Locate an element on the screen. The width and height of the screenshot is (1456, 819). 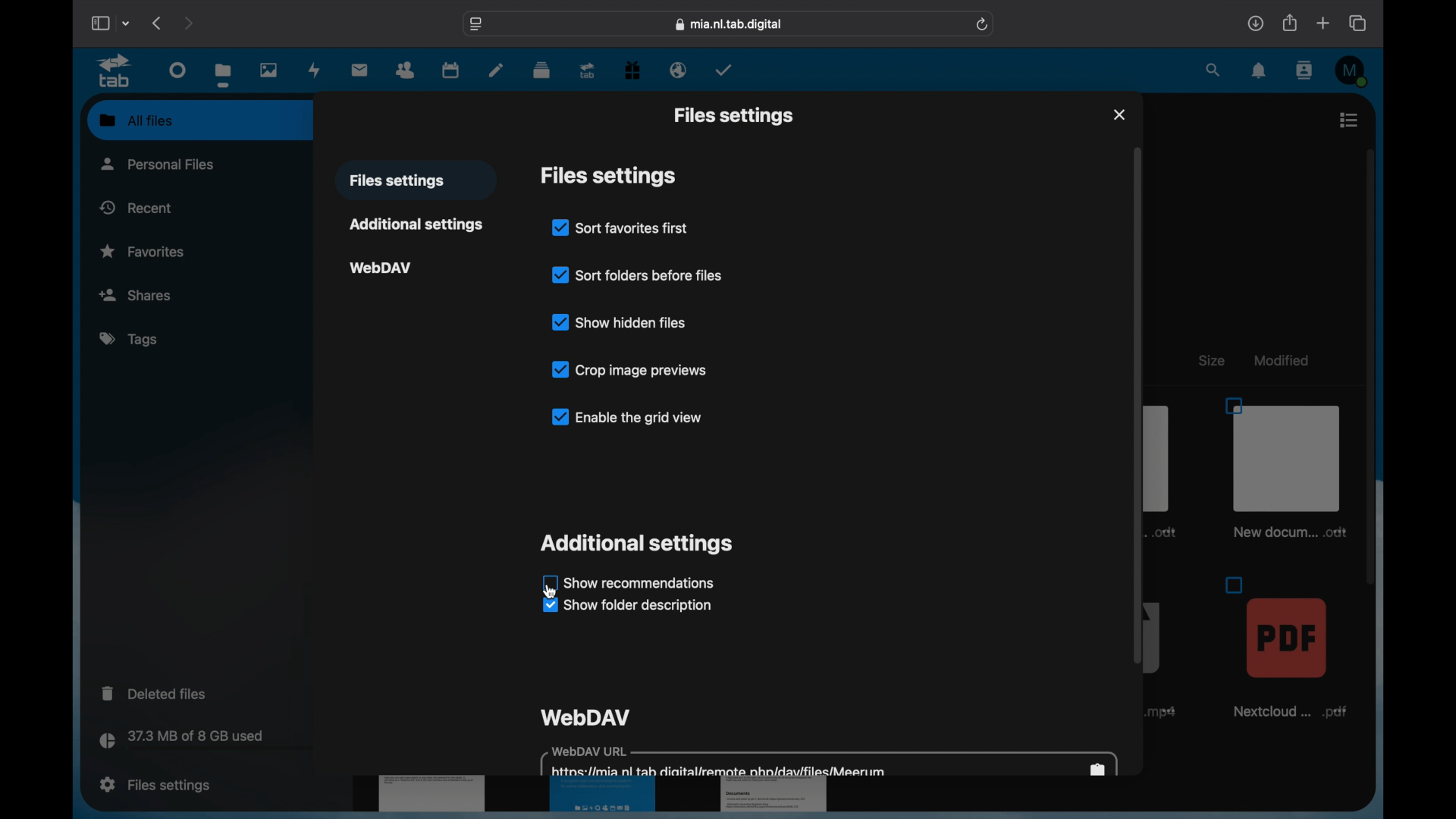
crop image previews is located at coordinates (629, 369).